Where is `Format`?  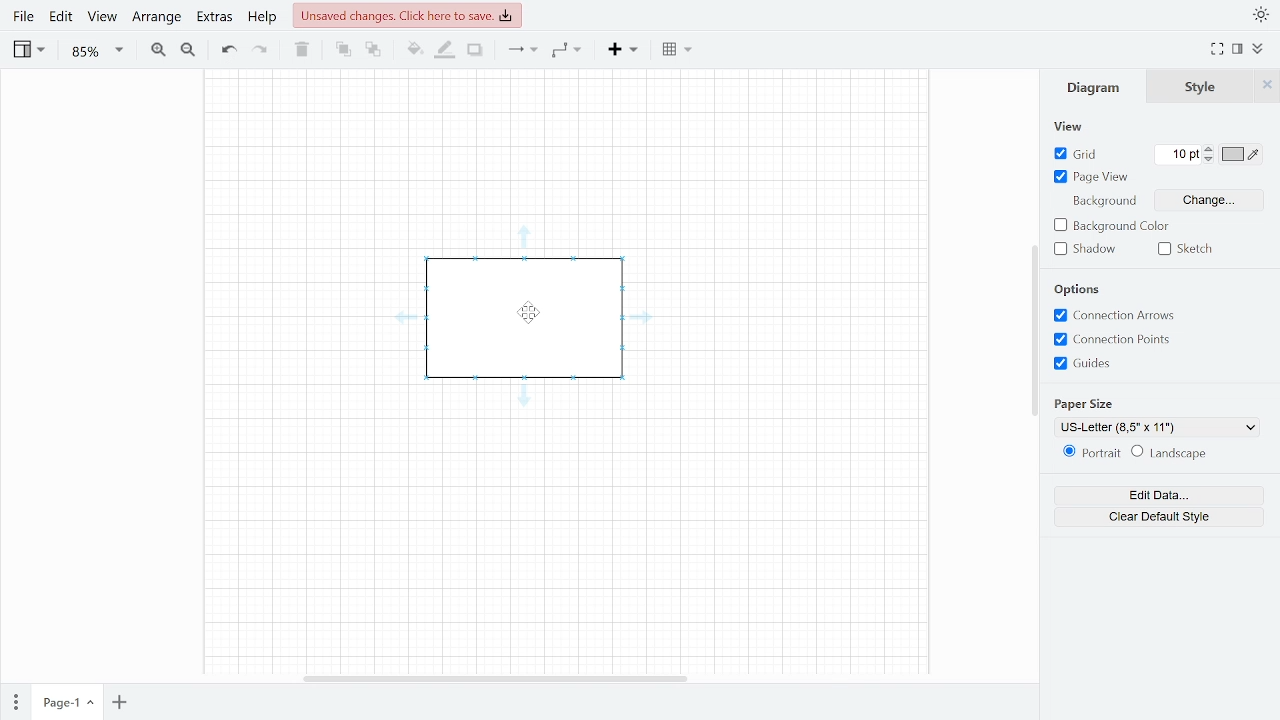 Format is located at coordinates (1237, 50).